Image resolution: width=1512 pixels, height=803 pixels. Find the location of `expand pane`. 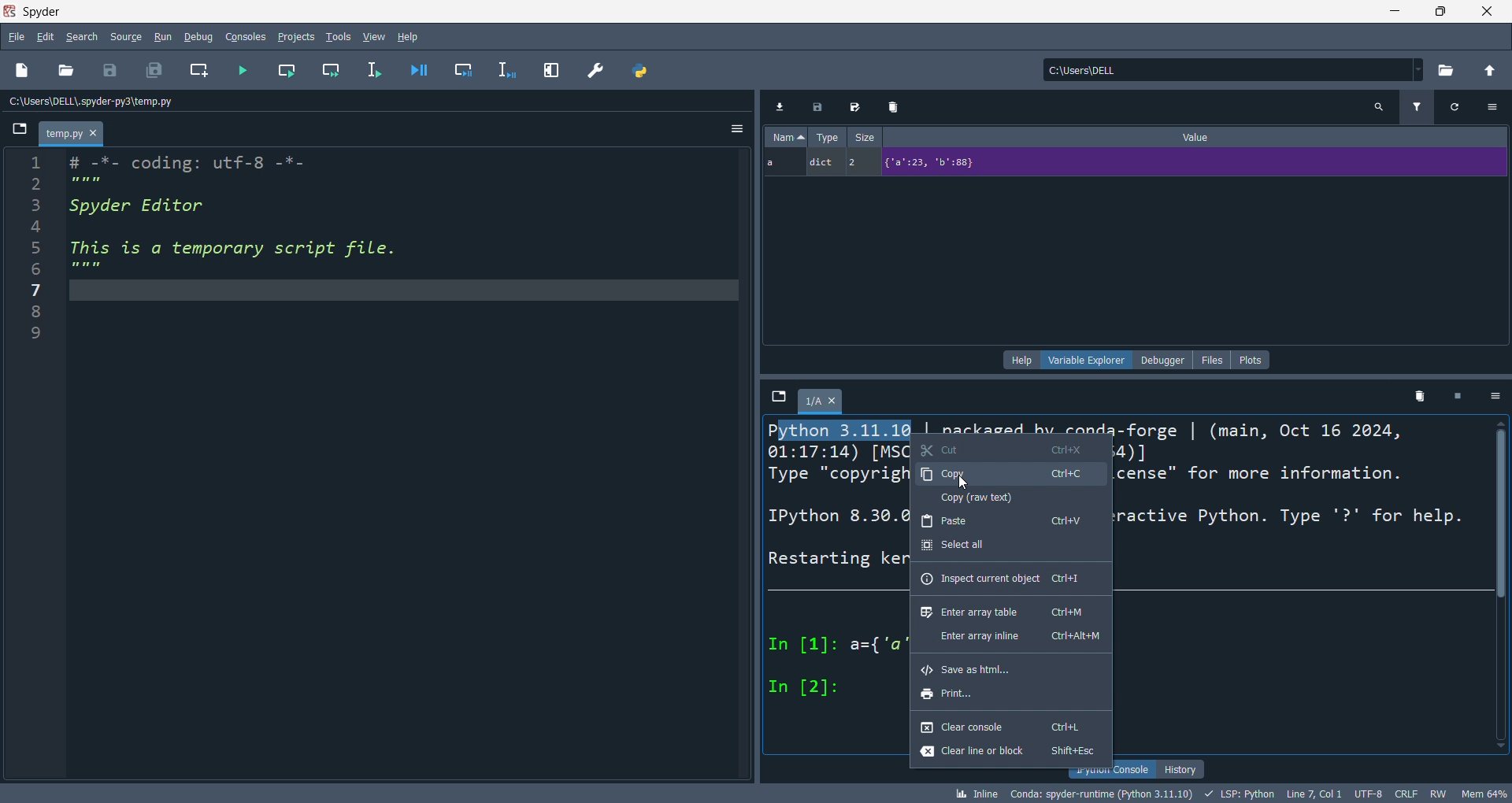

expand pane is located at coordinates (553, 71).